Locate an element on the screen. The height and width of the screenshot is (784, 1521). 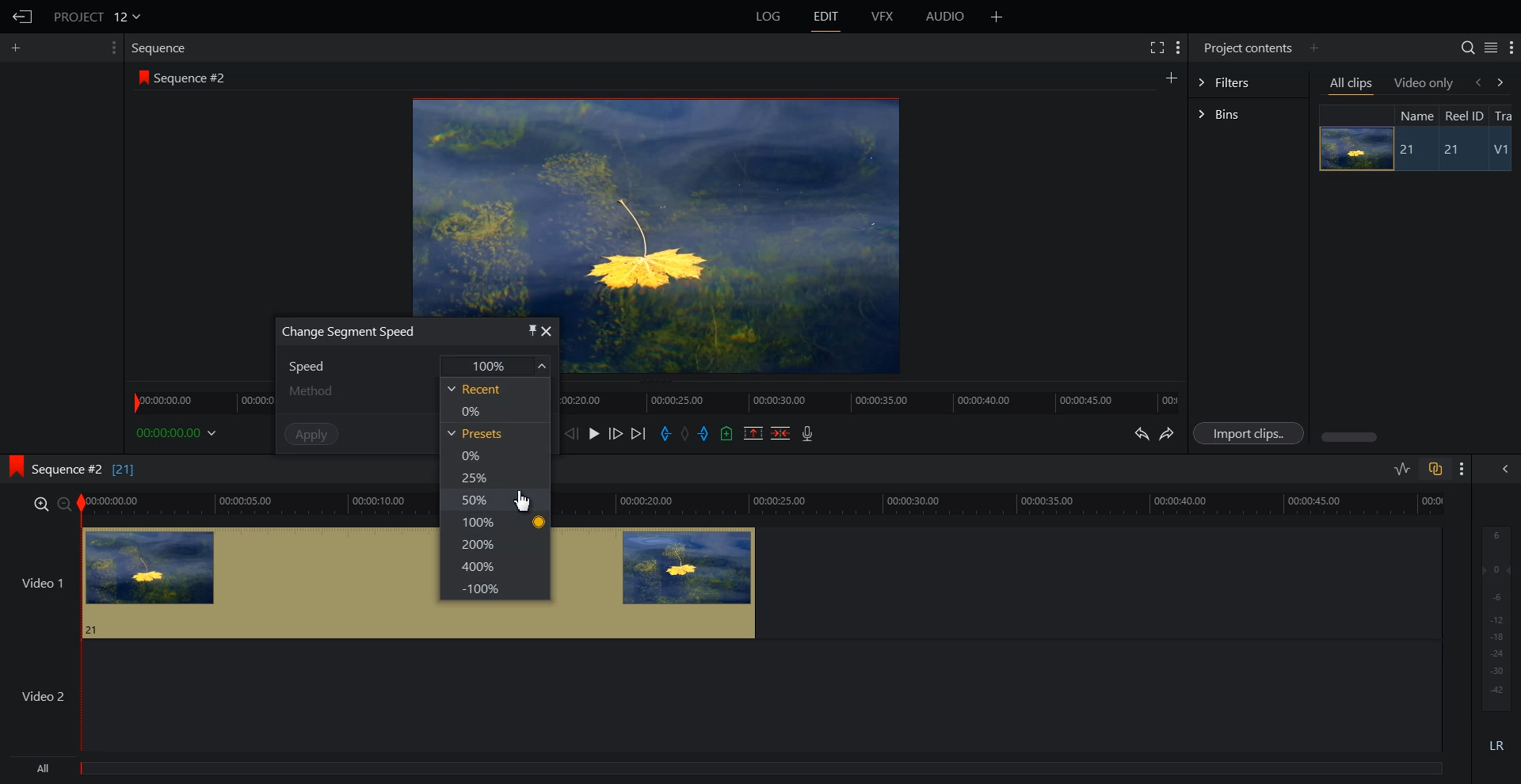
25% is located at coordinates (473, 477).